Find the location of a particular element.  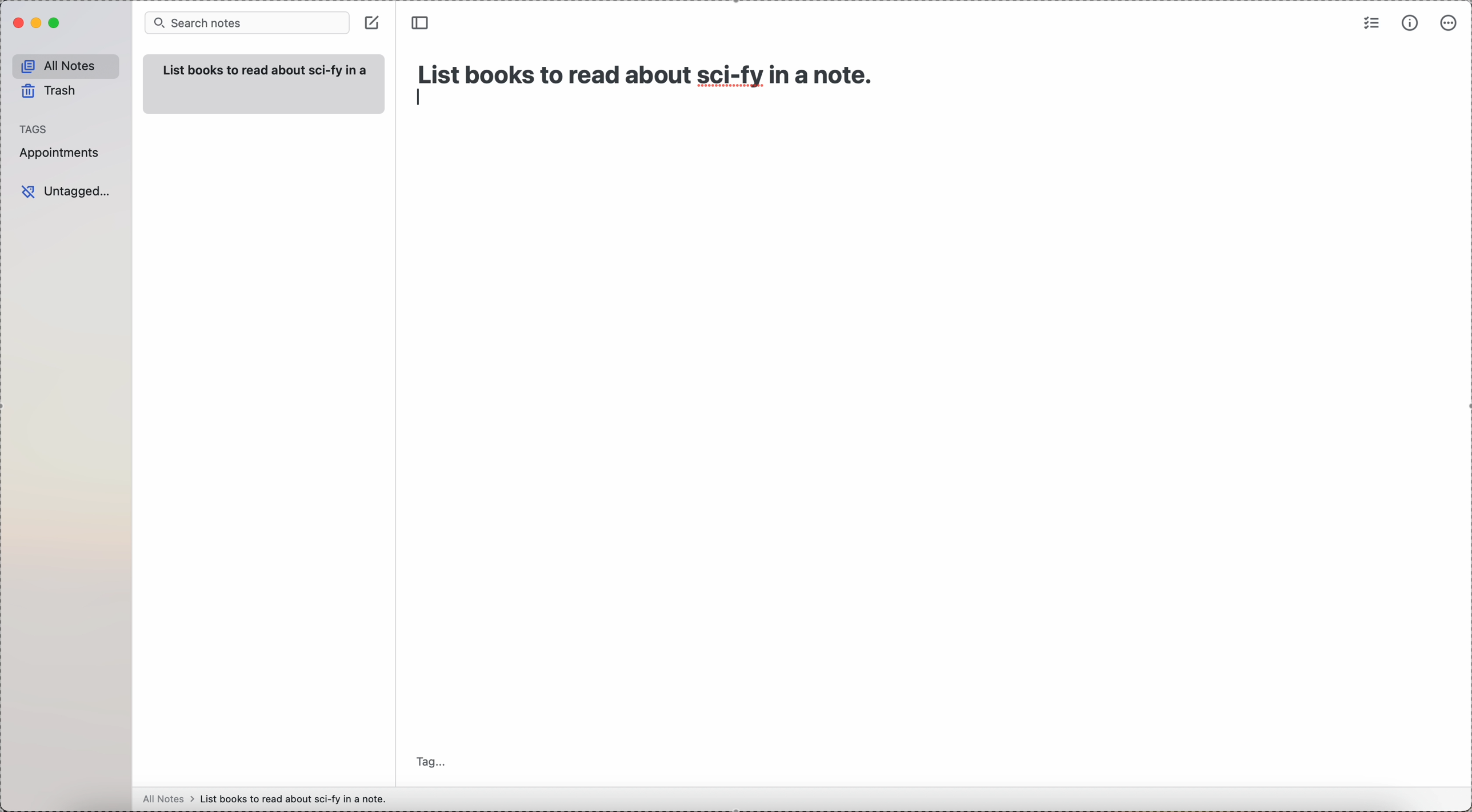

create note is located at coordinates (374, 21).